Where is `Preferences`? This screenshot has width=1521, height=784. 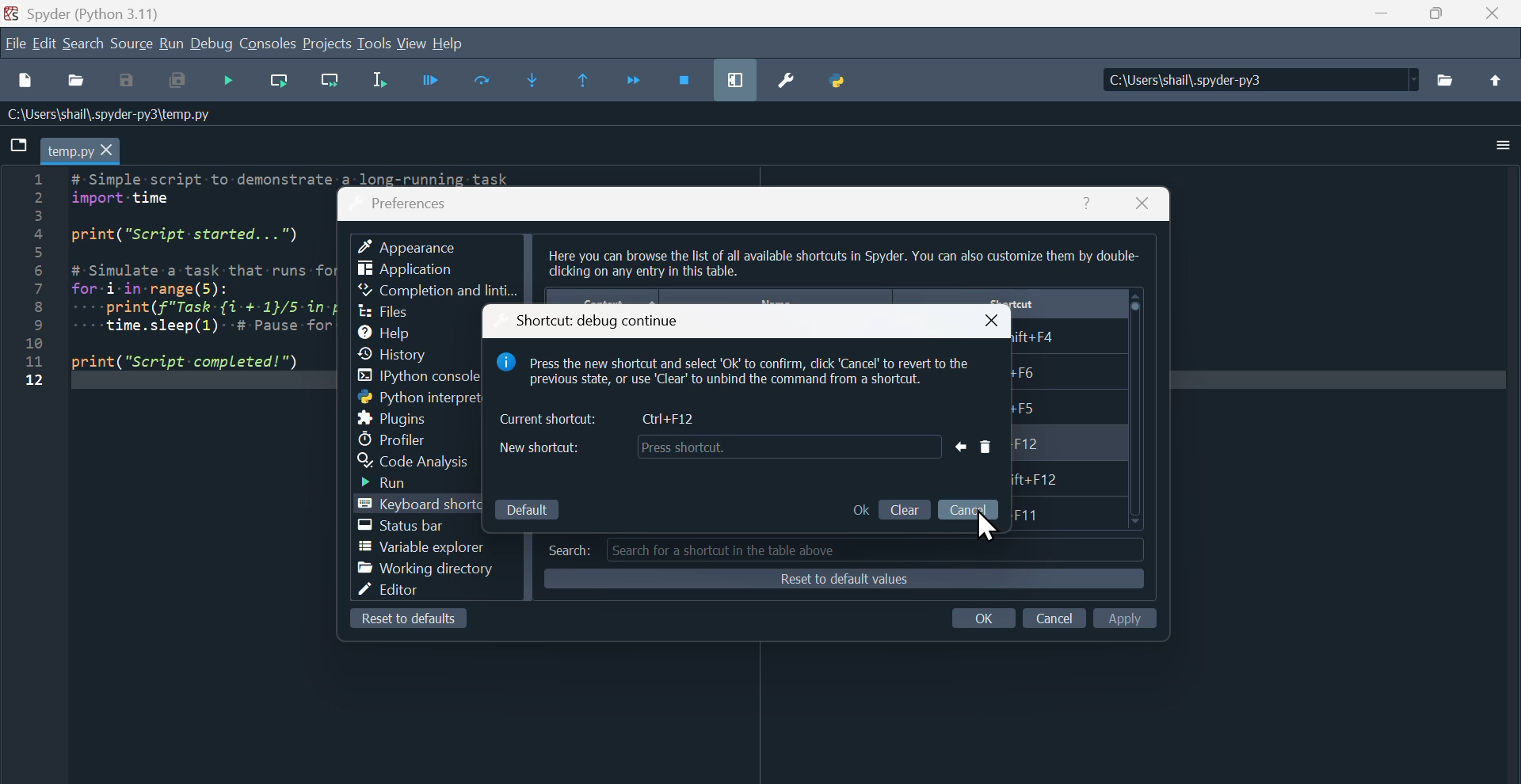 Preferences is located at coordinates (413, 203).